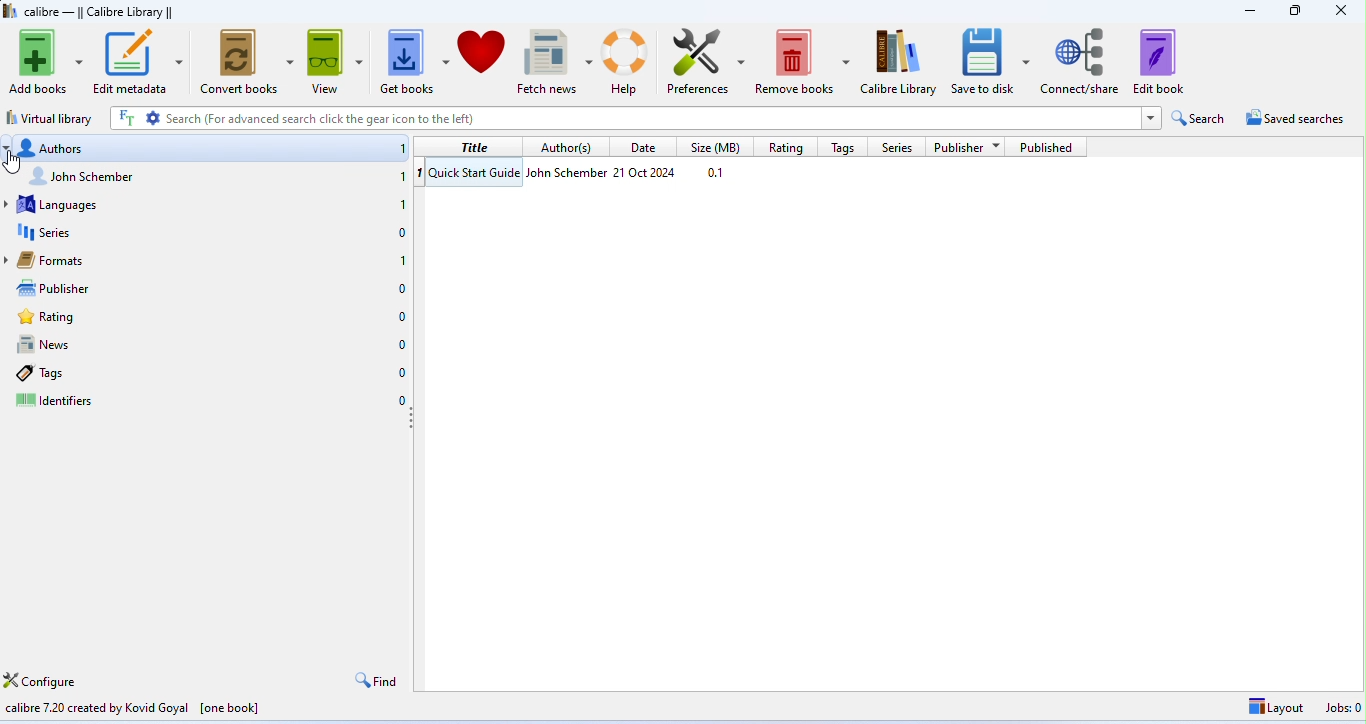 Image resolution: width=1366 pixels, height=724 pixels. What do you see at coordinates (1047, 148) in the screenshot?
I see `published` at bounding box center [1047, 148].